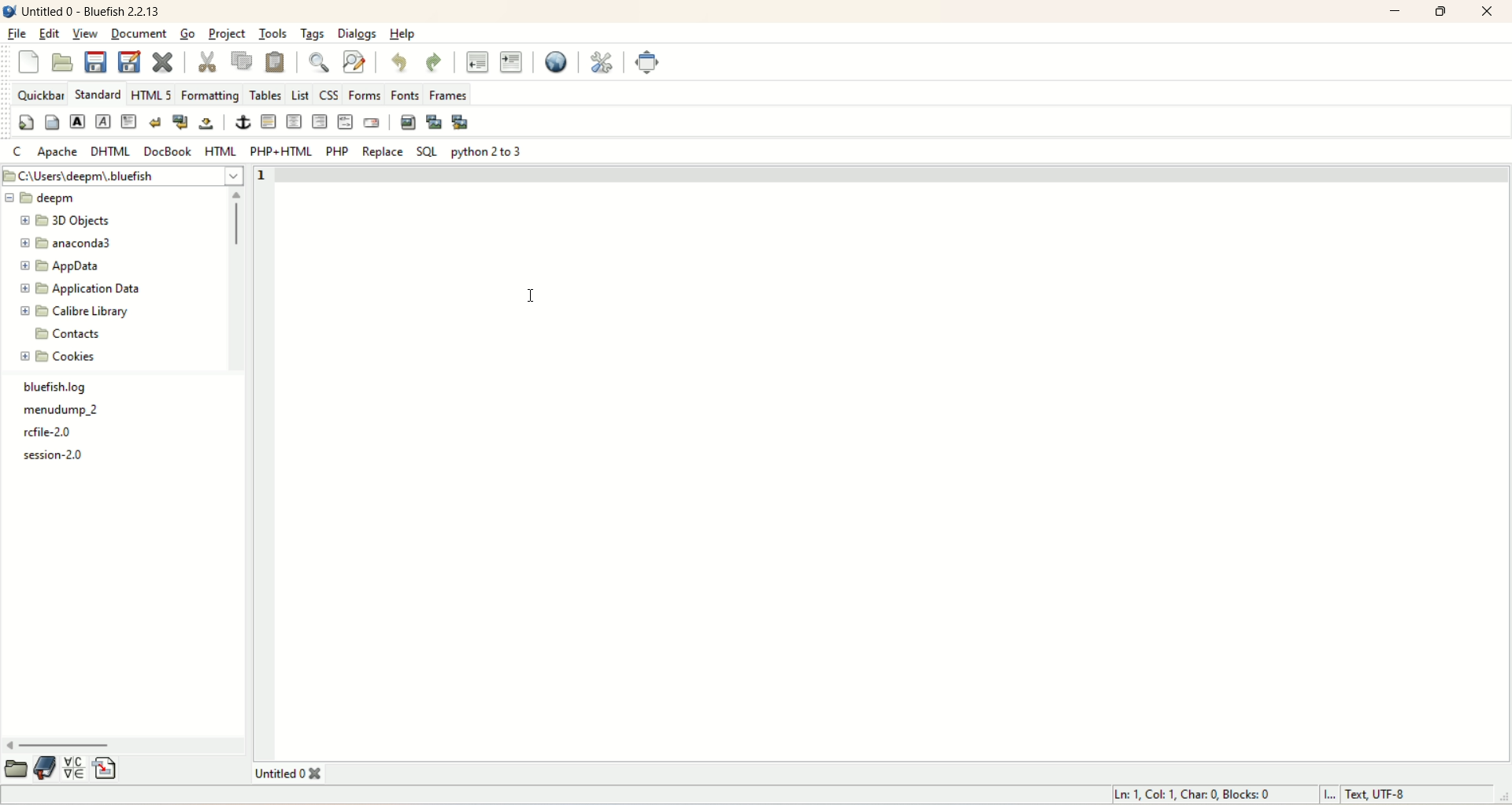 This screenshot has height=805, width=1512. I want to click on fullscreen, so click(647, 61).